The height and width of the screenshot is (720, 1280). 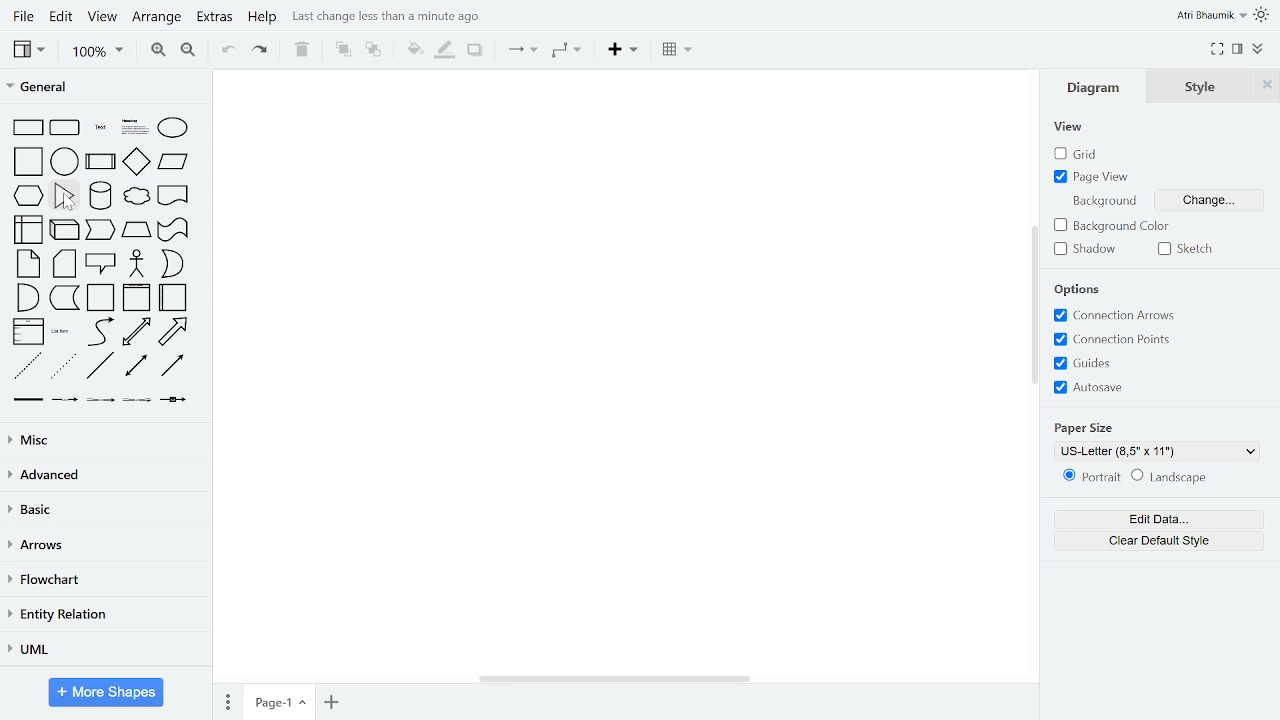 I want to click on background, so click(x=1105, y=201).